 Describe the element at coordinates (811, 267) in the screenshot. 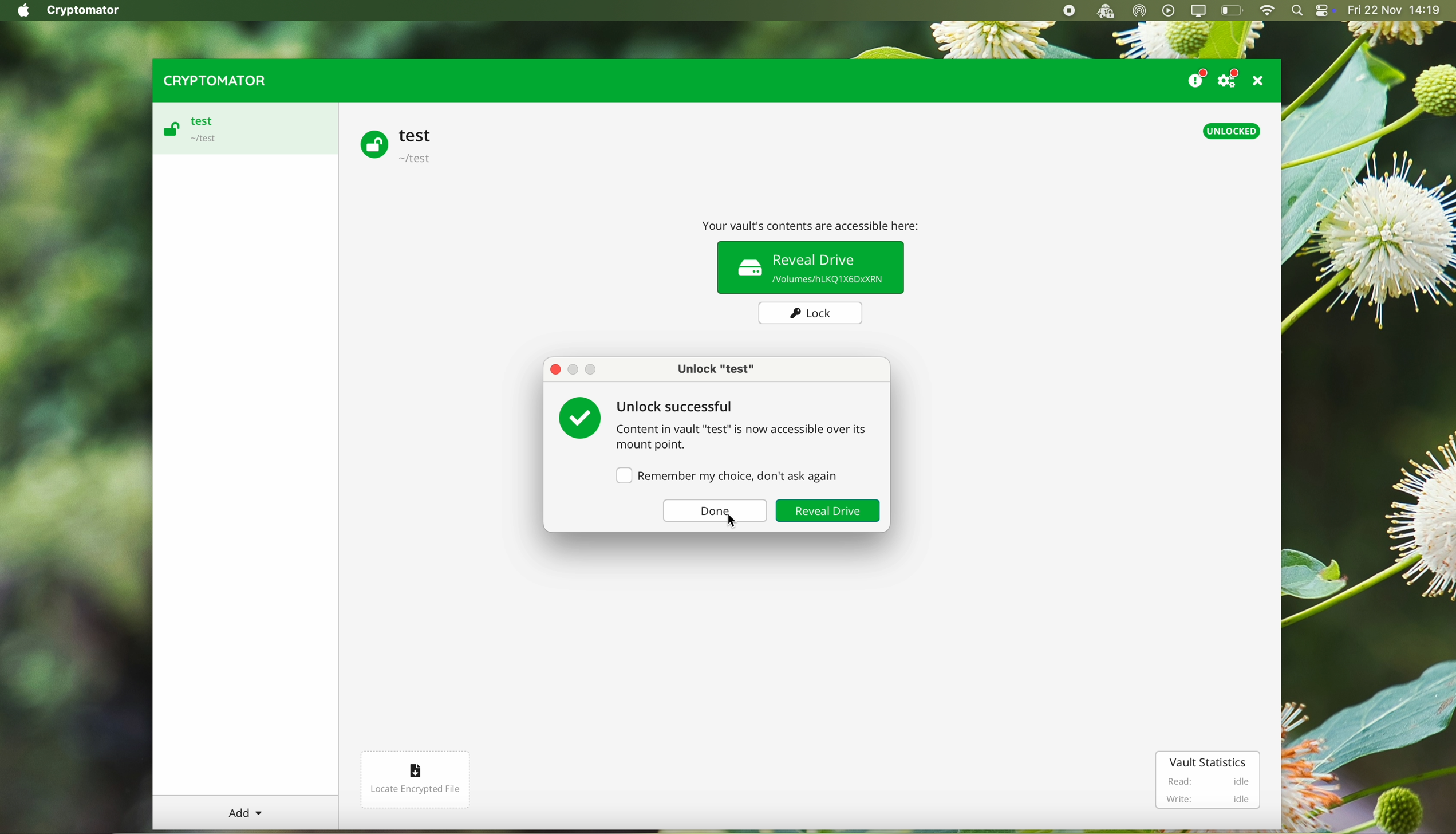

I see `reveal drive` at that location.